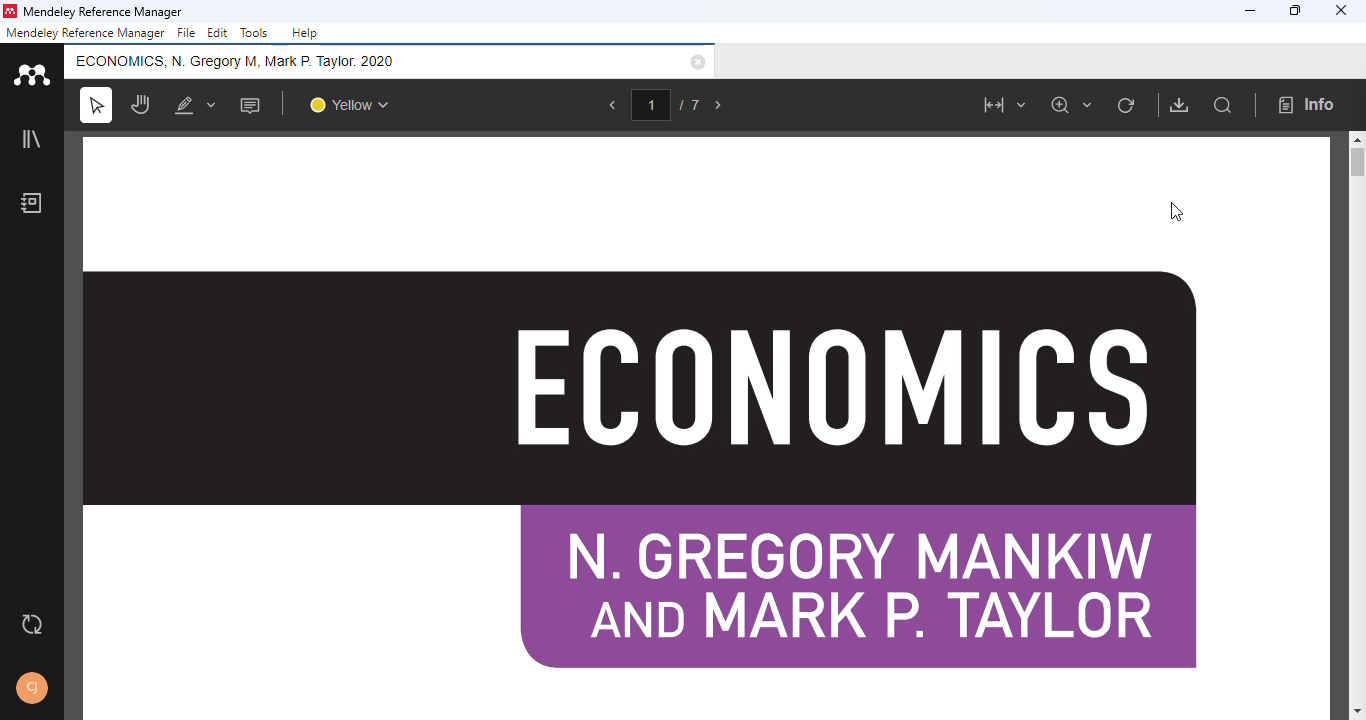  What do you see at coordinates (188, 33) in the screenshot?
I see `file` at bounding box center [188, 33].